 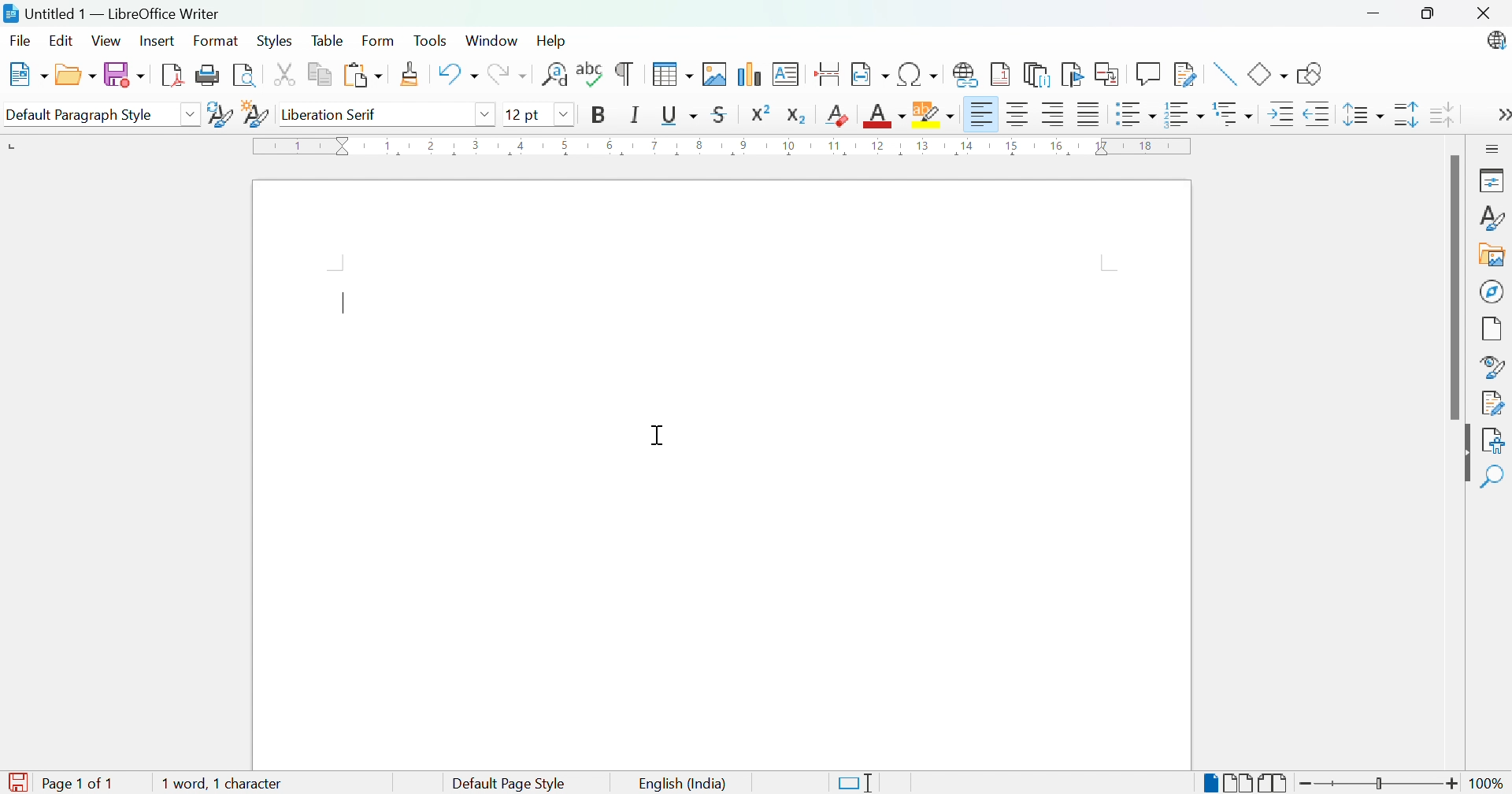 I want to click on Select outline format, so click(x=1234, y=116).